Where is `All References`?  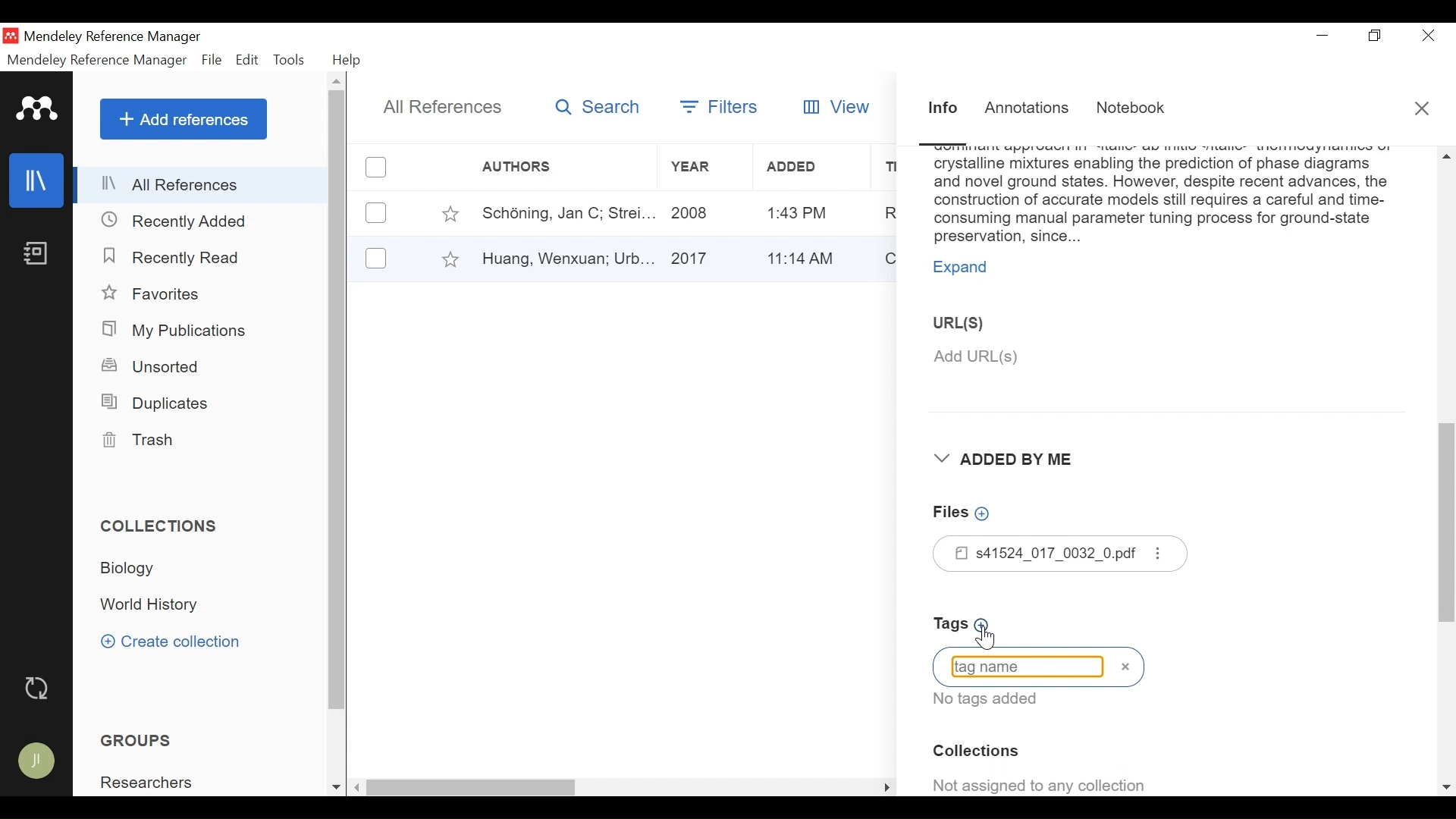
All References is located at coordinates (202, 184).